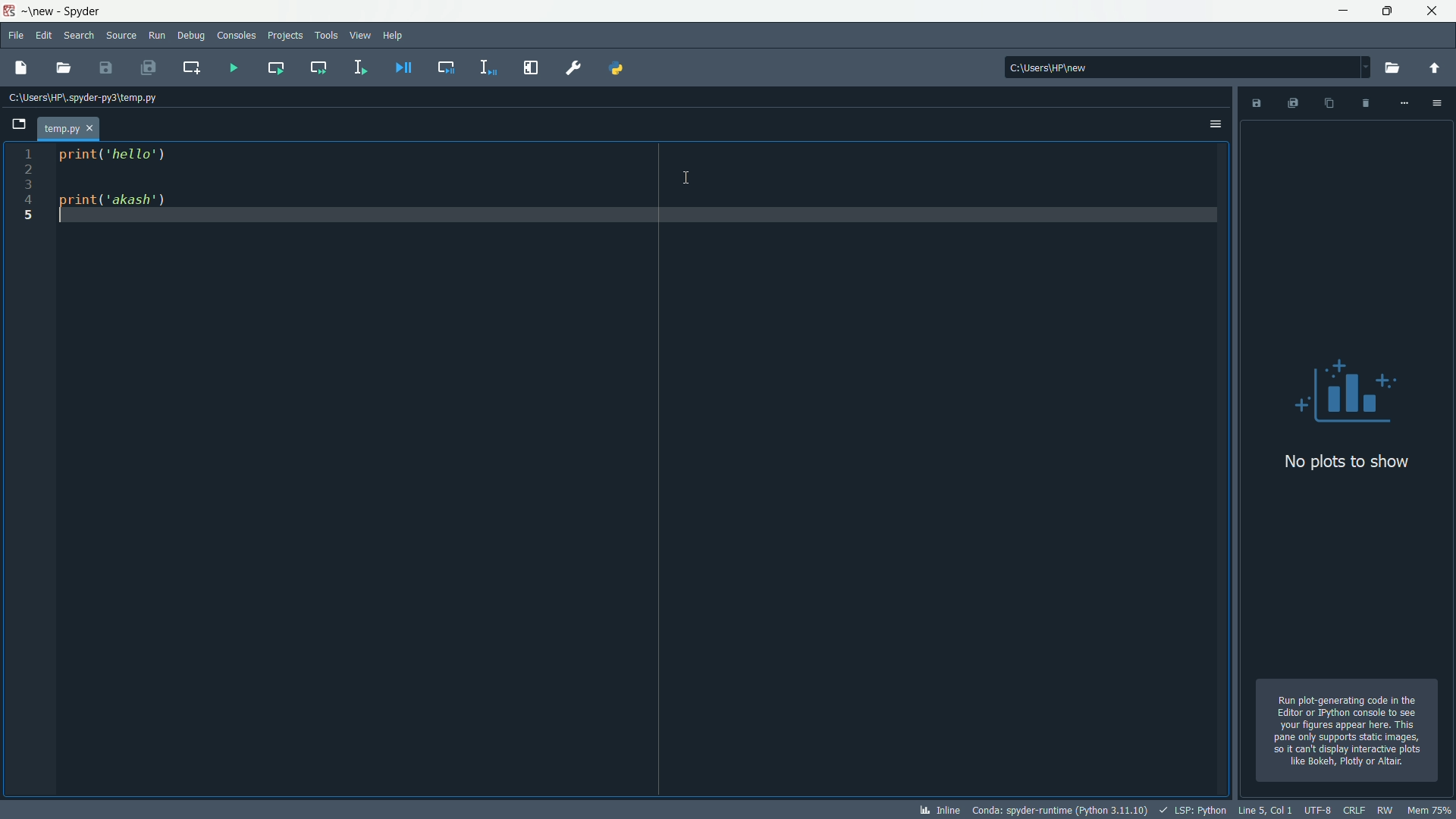  I want to click on save all plots, so click(1293, 102).